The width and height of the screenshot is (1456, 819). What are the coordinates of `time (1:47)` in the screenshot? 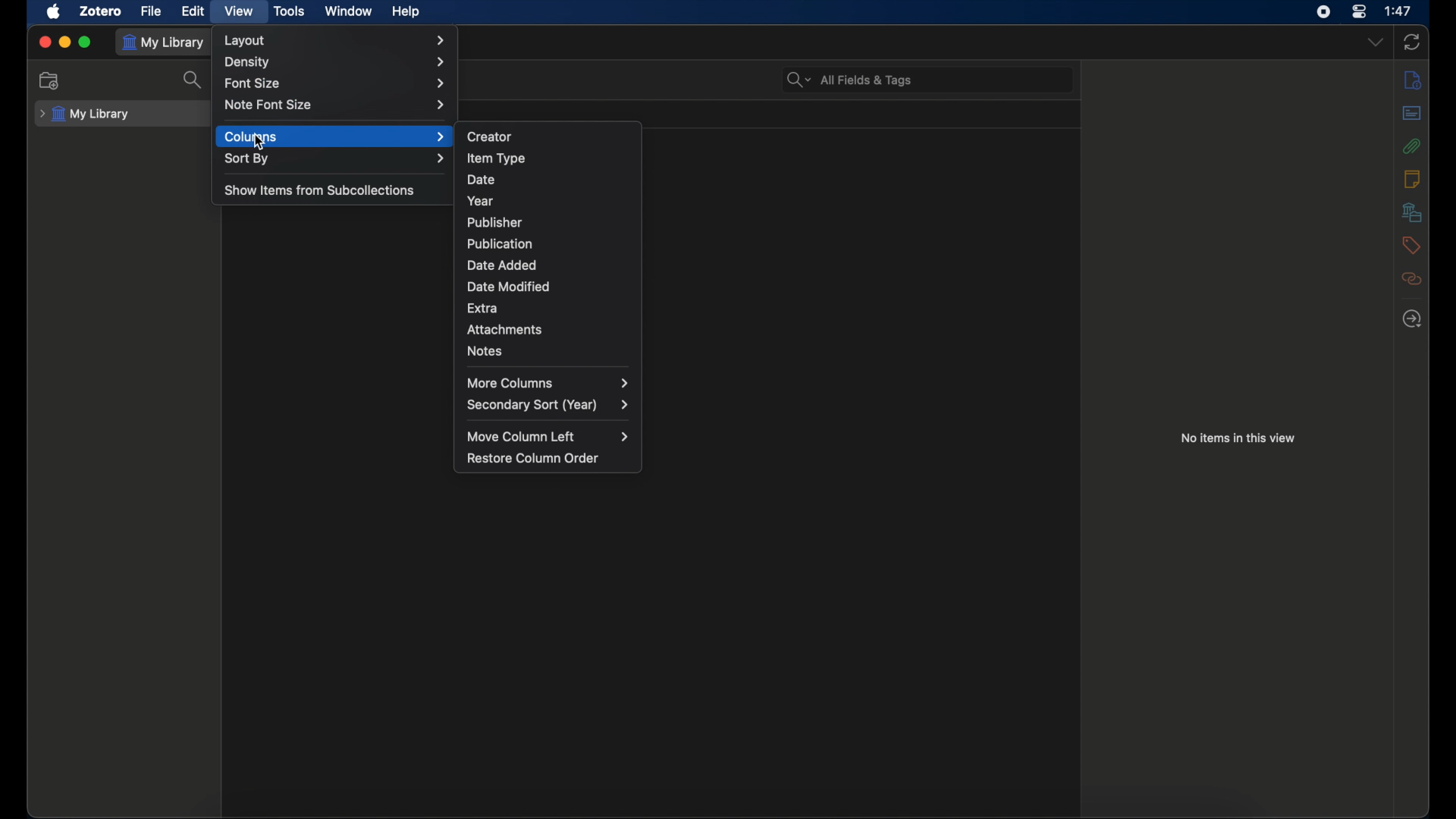 It's located at (1398, 10).